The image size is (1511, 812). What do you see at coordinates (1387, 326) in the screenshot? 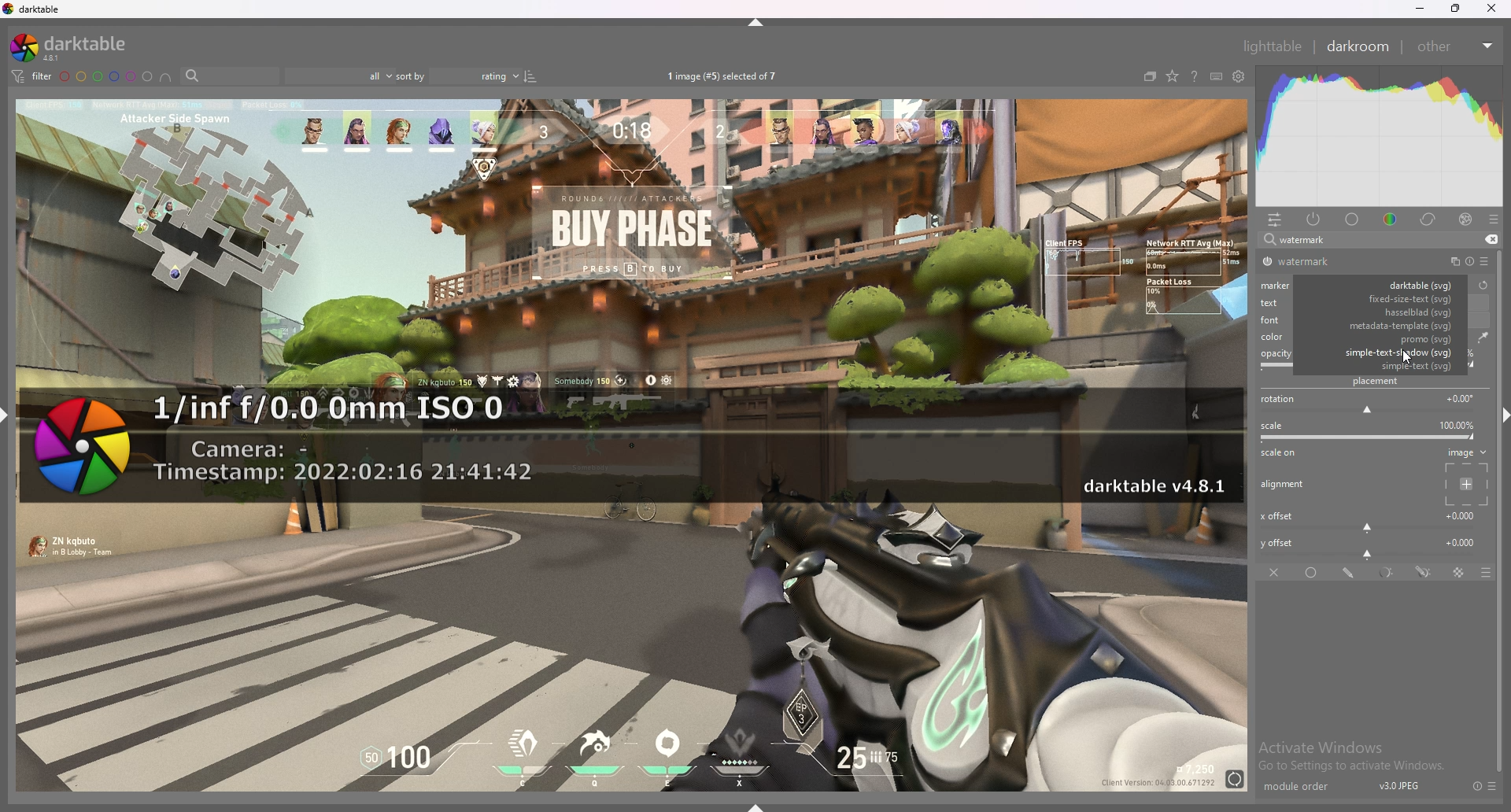
I see `metadata template svg` at bounding box center [1387, 326].